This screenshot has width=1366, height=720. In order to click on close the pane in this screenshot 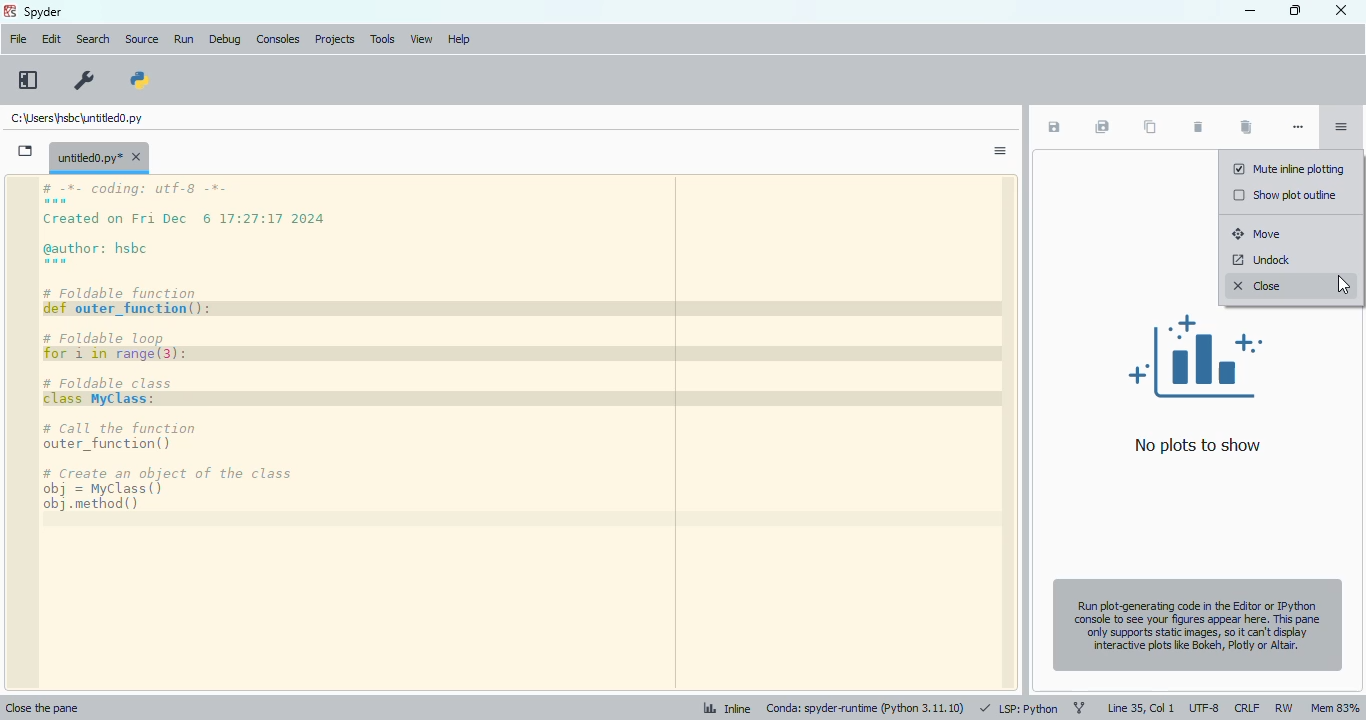, I will do `click(54, 707)`.